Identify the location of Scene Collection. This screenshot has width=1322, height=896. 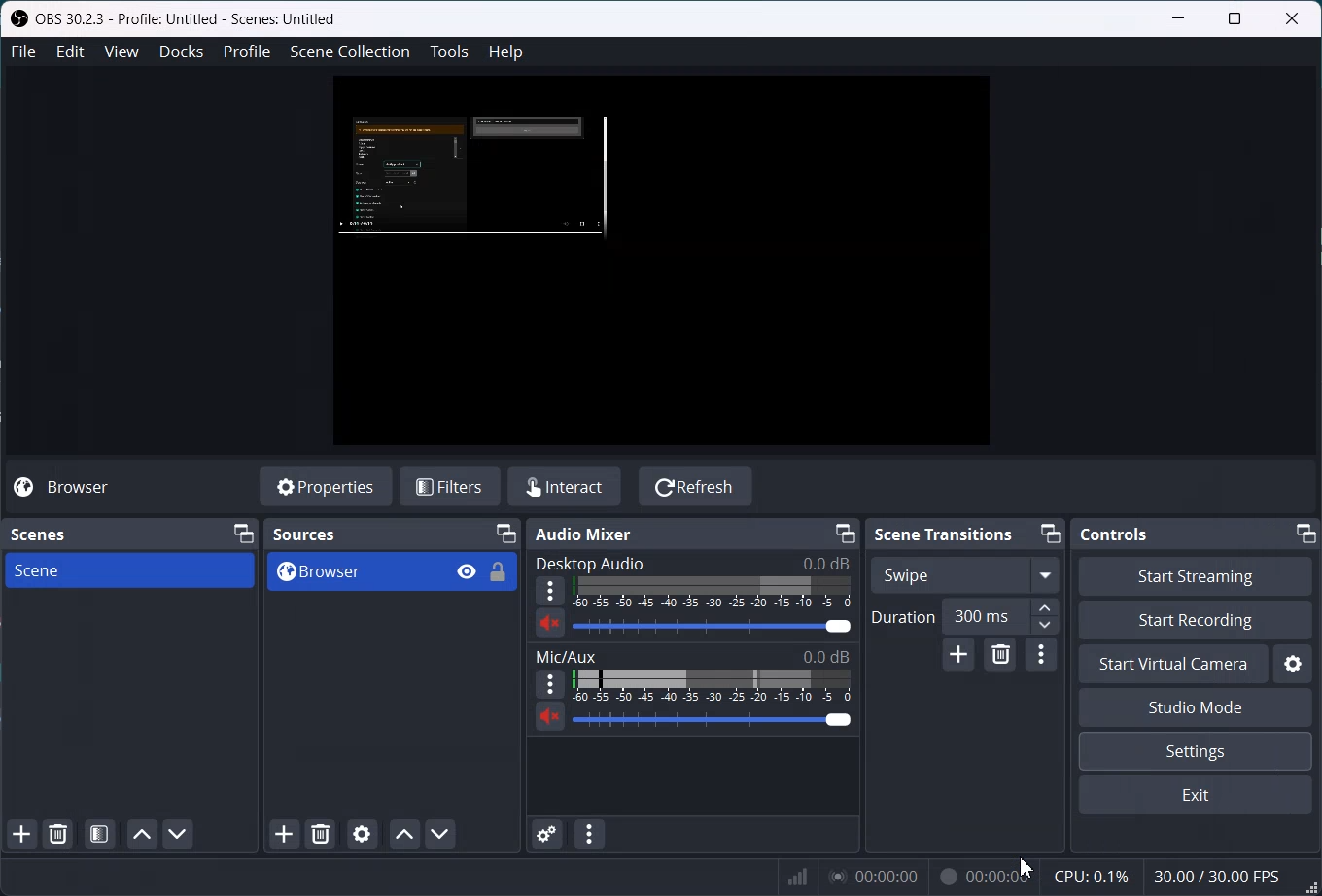
(350, 52).